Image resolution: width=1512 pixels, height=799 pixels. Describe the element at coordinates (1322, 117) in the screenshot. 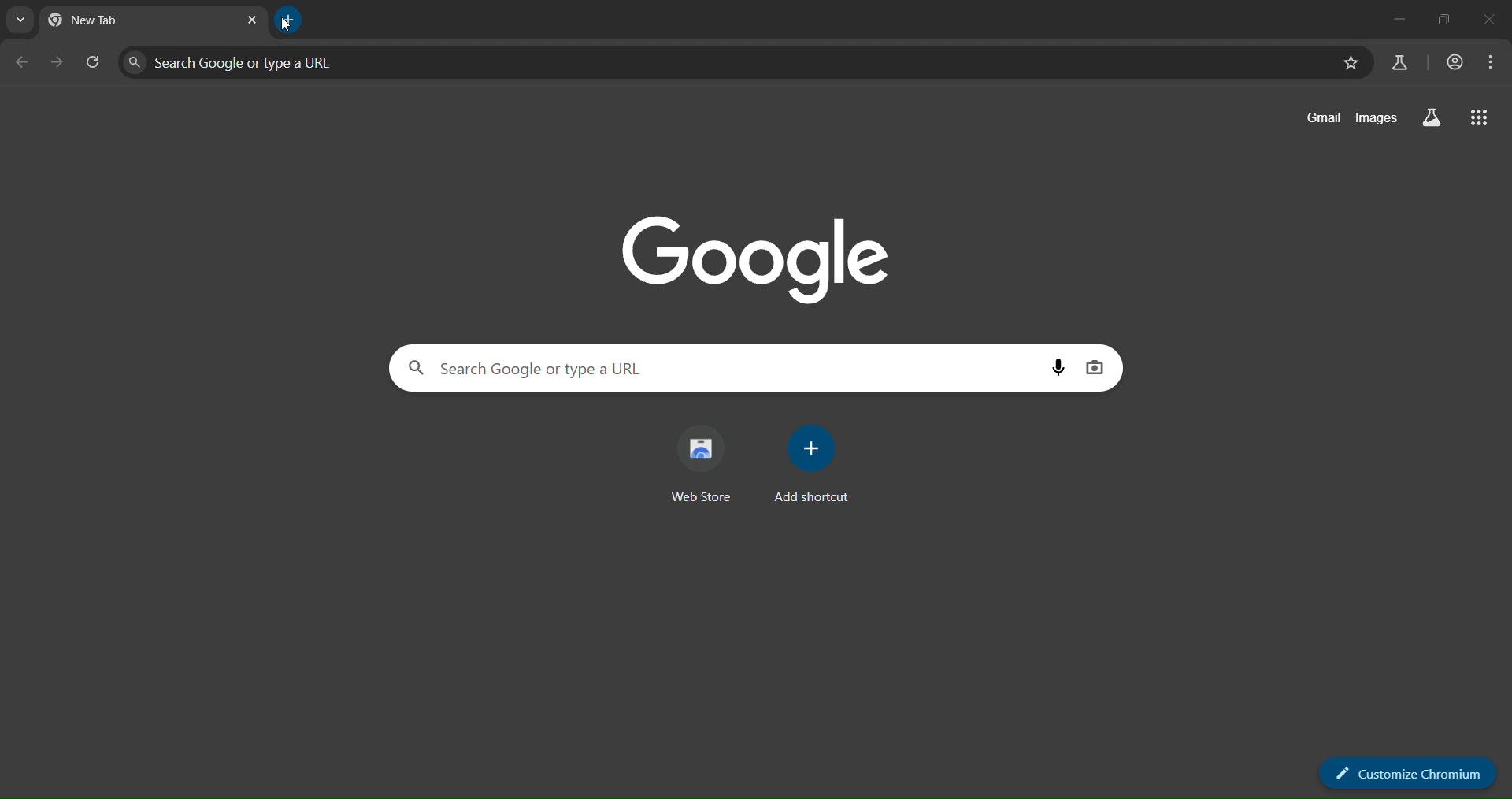

I see `gmail` at that location.